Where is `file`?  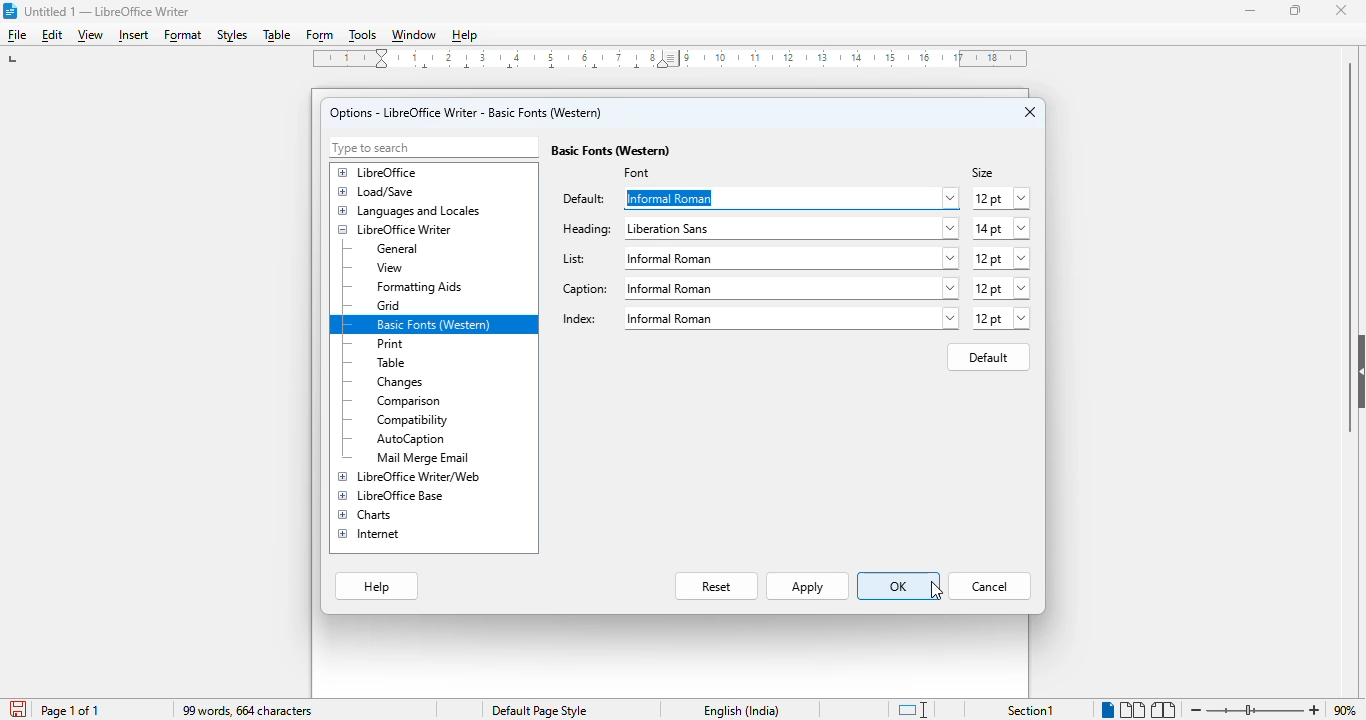 file is located at coordinates (16, 35).